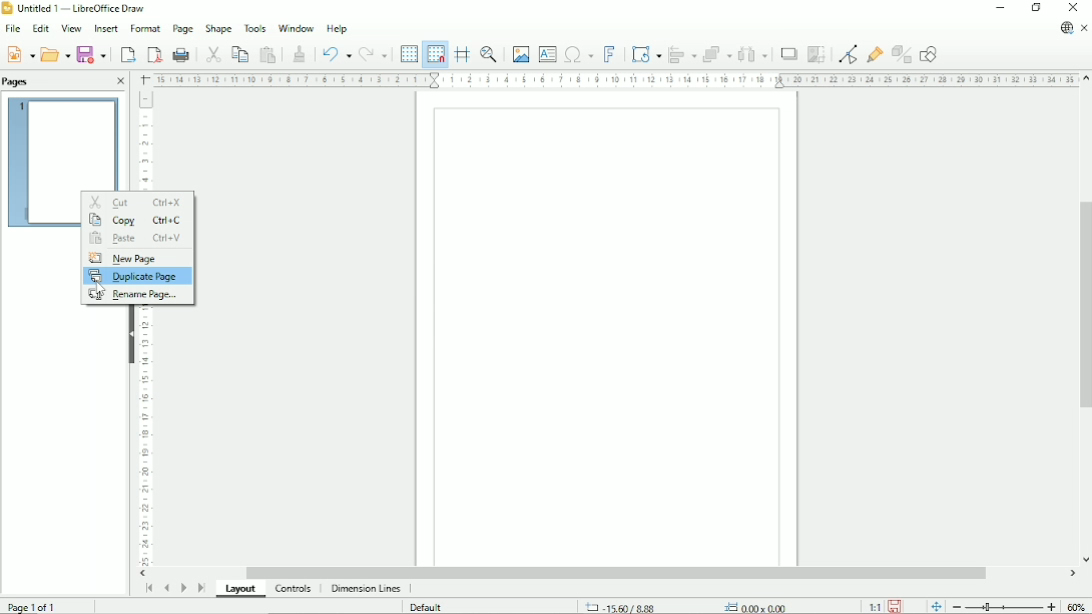  I want to click on Zoom & pan, so click(490, 54).